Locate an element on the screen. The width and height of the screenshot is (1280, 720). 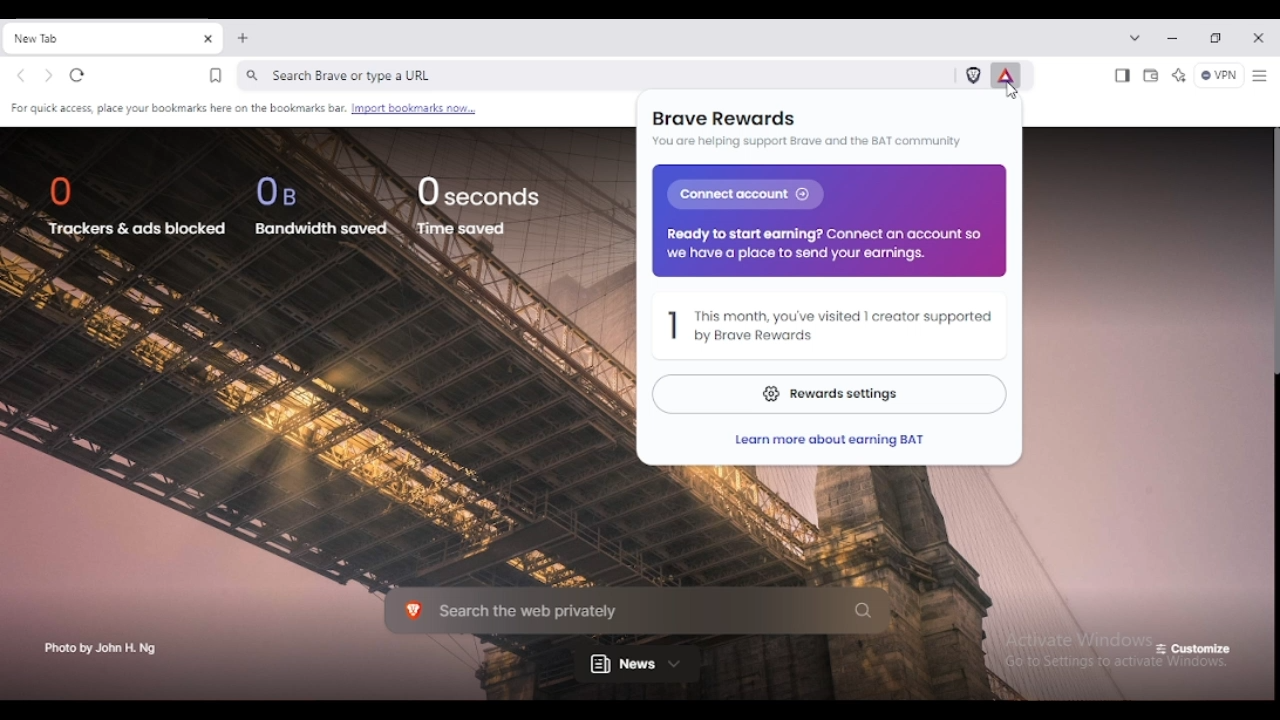
search brave or type a URL is located at coordinates (595, 75).